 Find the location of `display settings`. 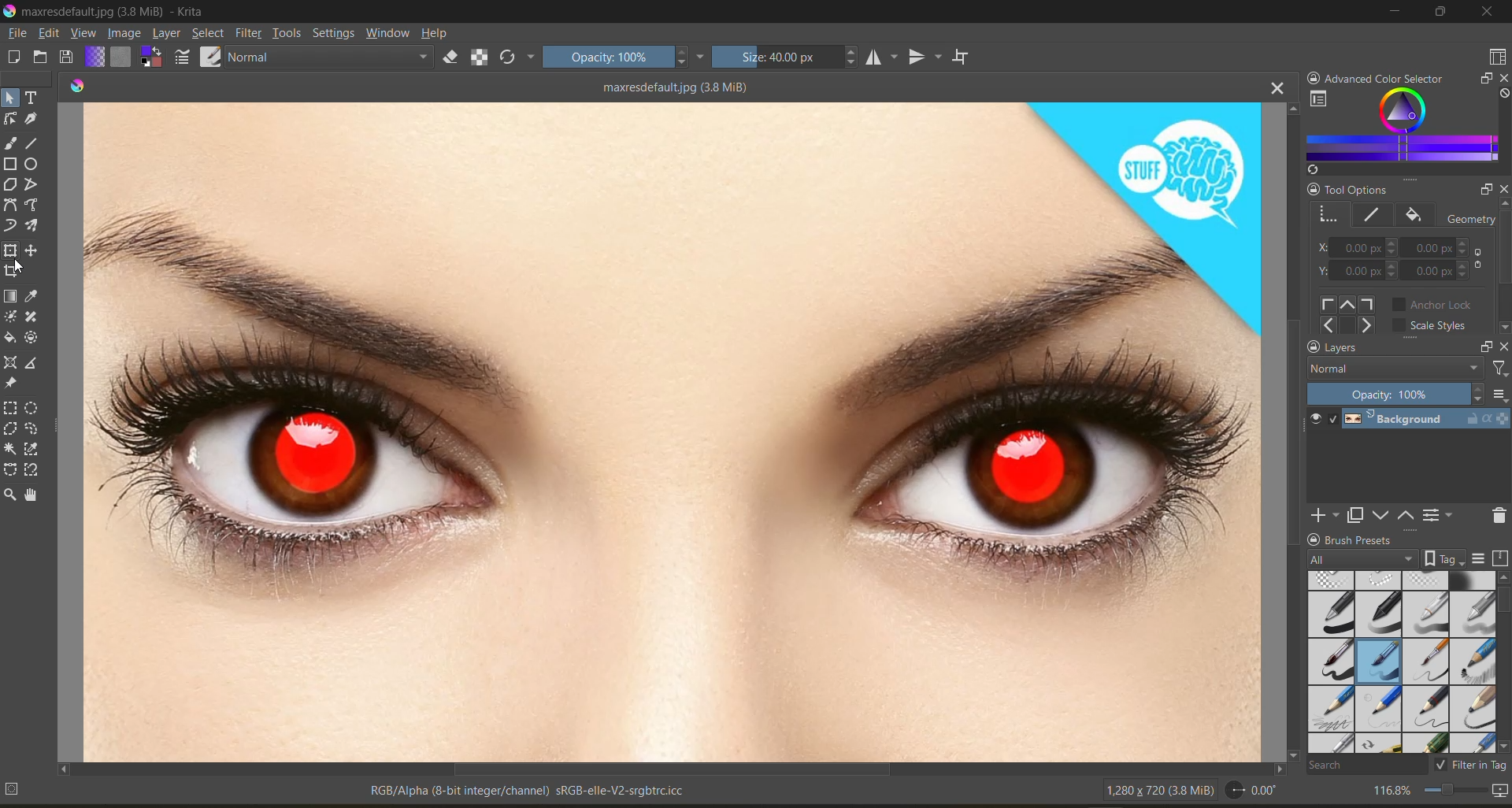

display settings is located at coordinates (1480, 557).